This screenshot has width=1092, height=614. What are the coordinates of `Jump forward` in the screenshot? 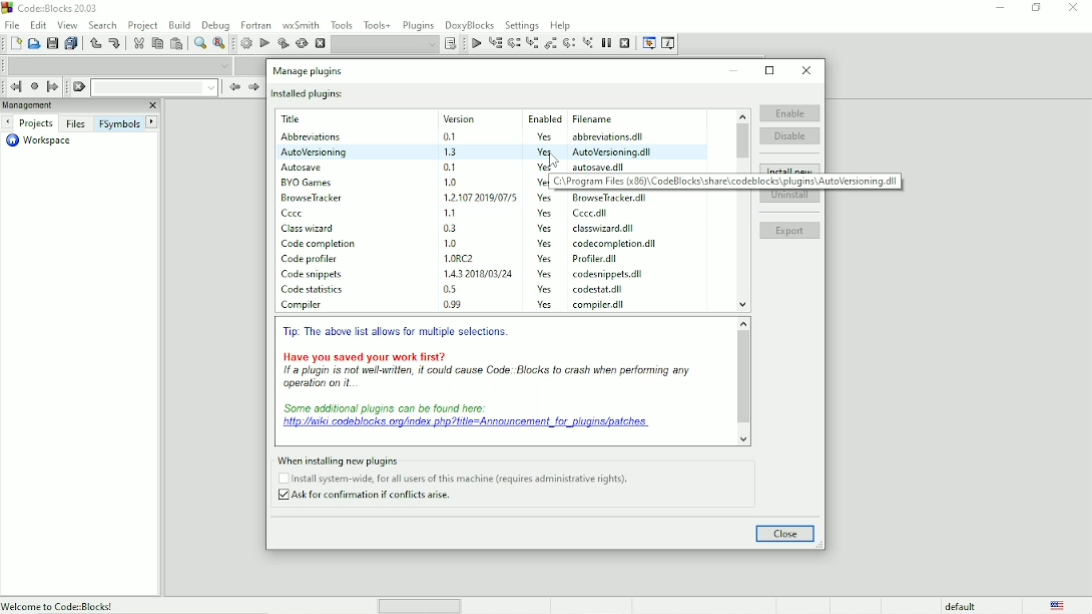 It's located at (53, 87).